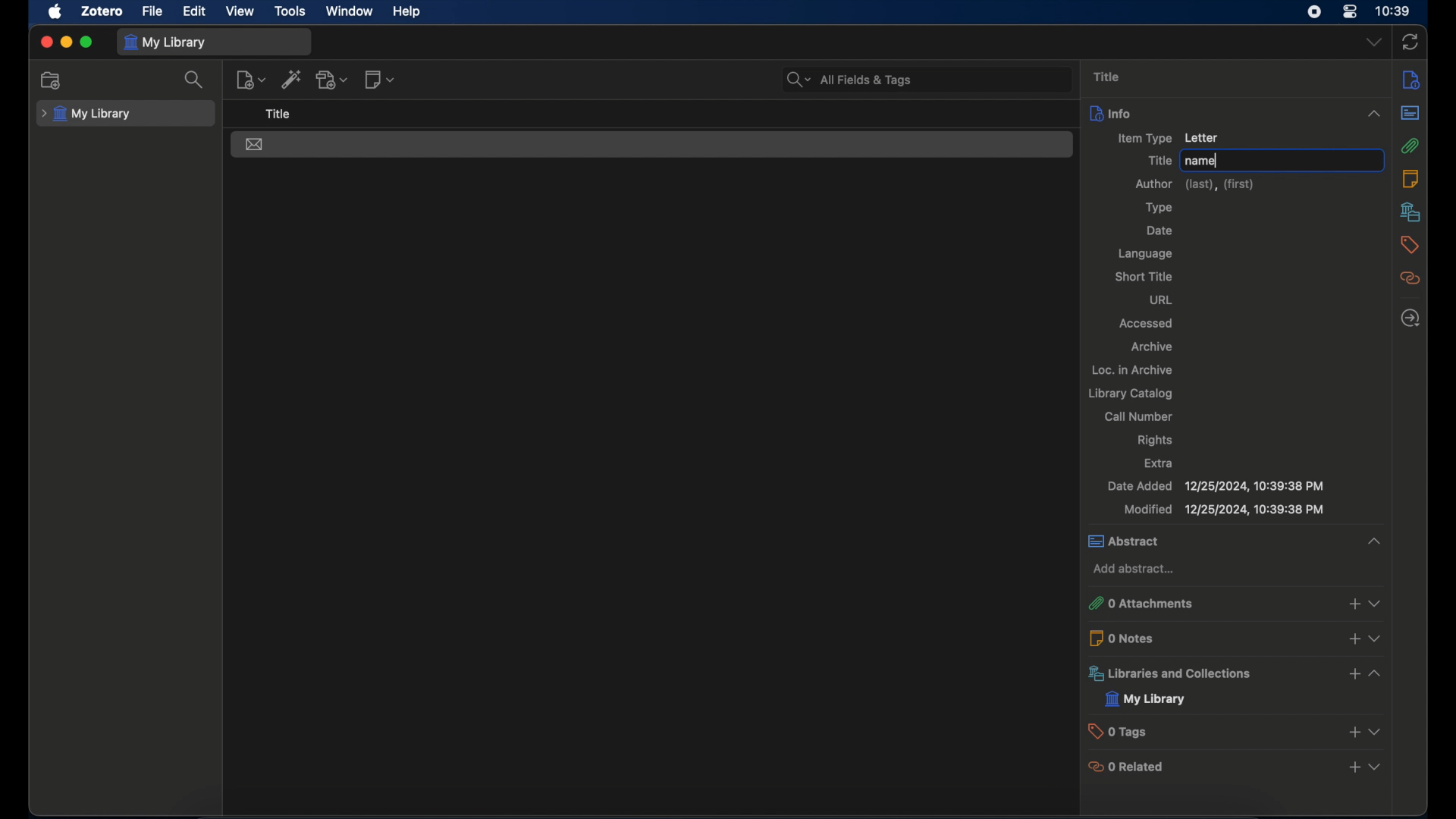  What do you see at coordinates (1410, 178) in the screenshot?
I see `notes` at bounding box center [1410, 178].